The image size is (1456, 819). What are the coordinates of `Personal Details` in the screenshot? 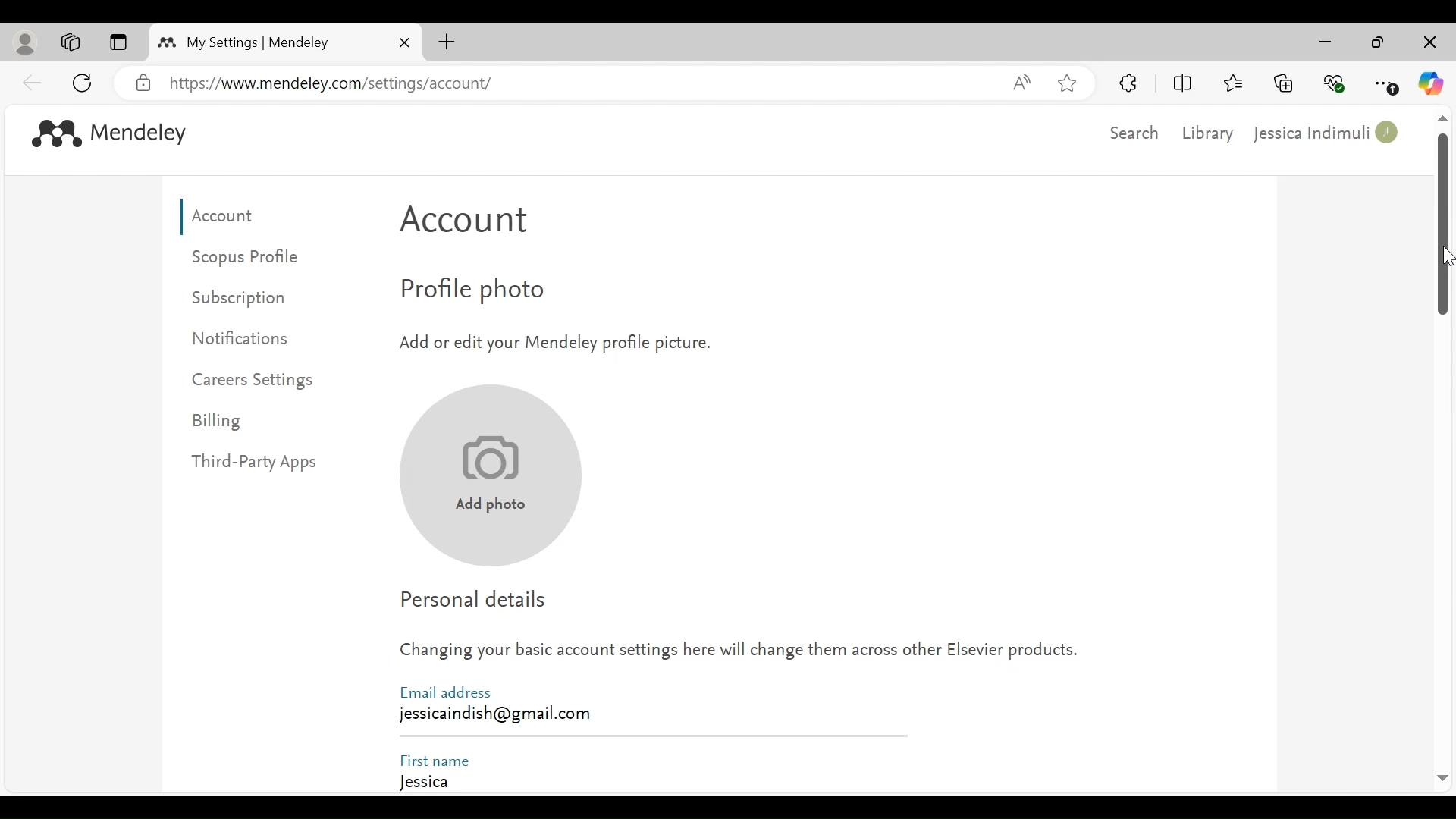 It's located at (479, 599).